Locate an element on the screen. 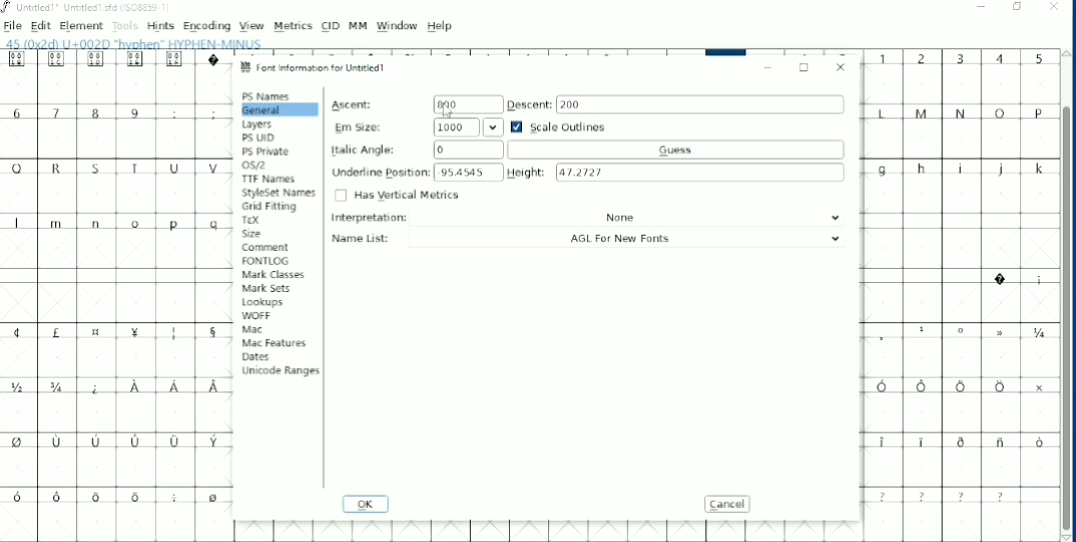 The height and width of the screenshot is (542, 1076). Mac is located at coordinates (252, 330).